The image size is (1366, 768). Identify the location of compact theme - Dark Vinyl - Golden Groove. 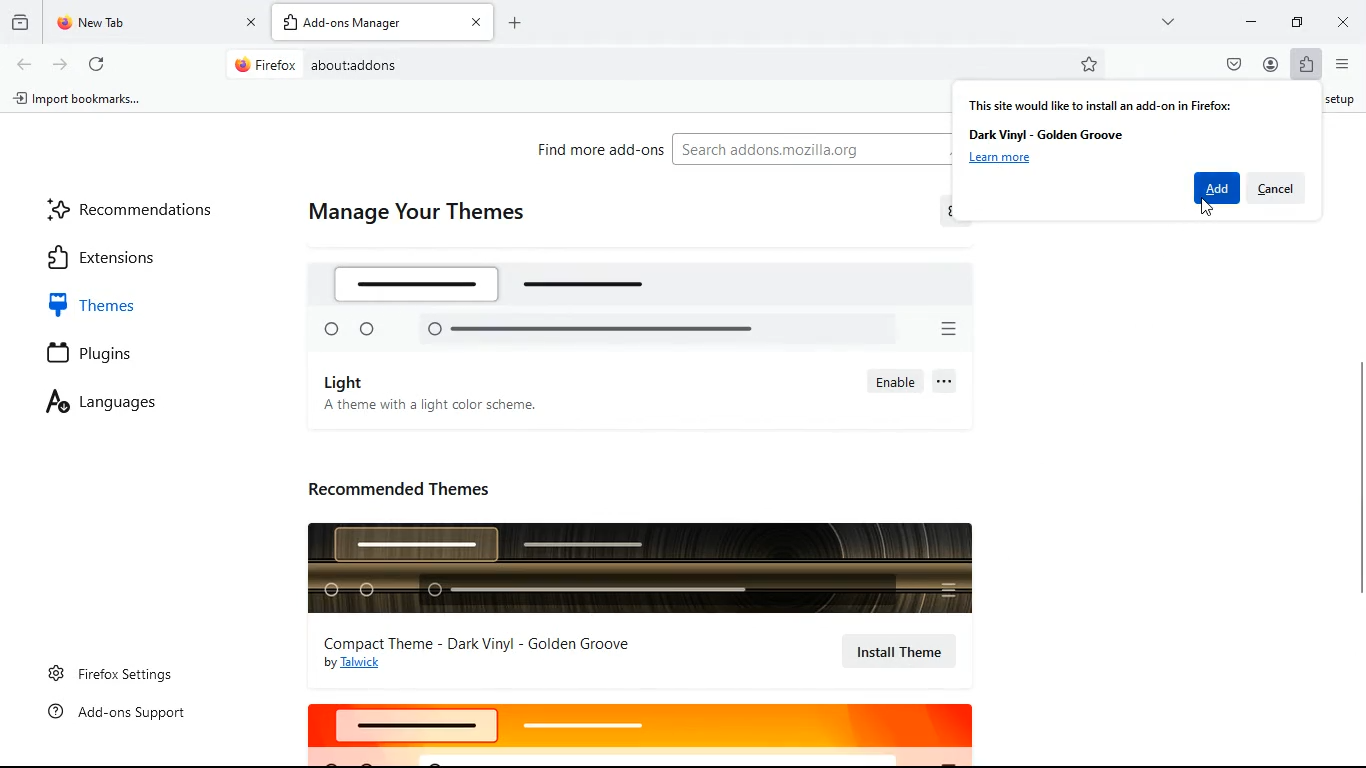
(482, 643).